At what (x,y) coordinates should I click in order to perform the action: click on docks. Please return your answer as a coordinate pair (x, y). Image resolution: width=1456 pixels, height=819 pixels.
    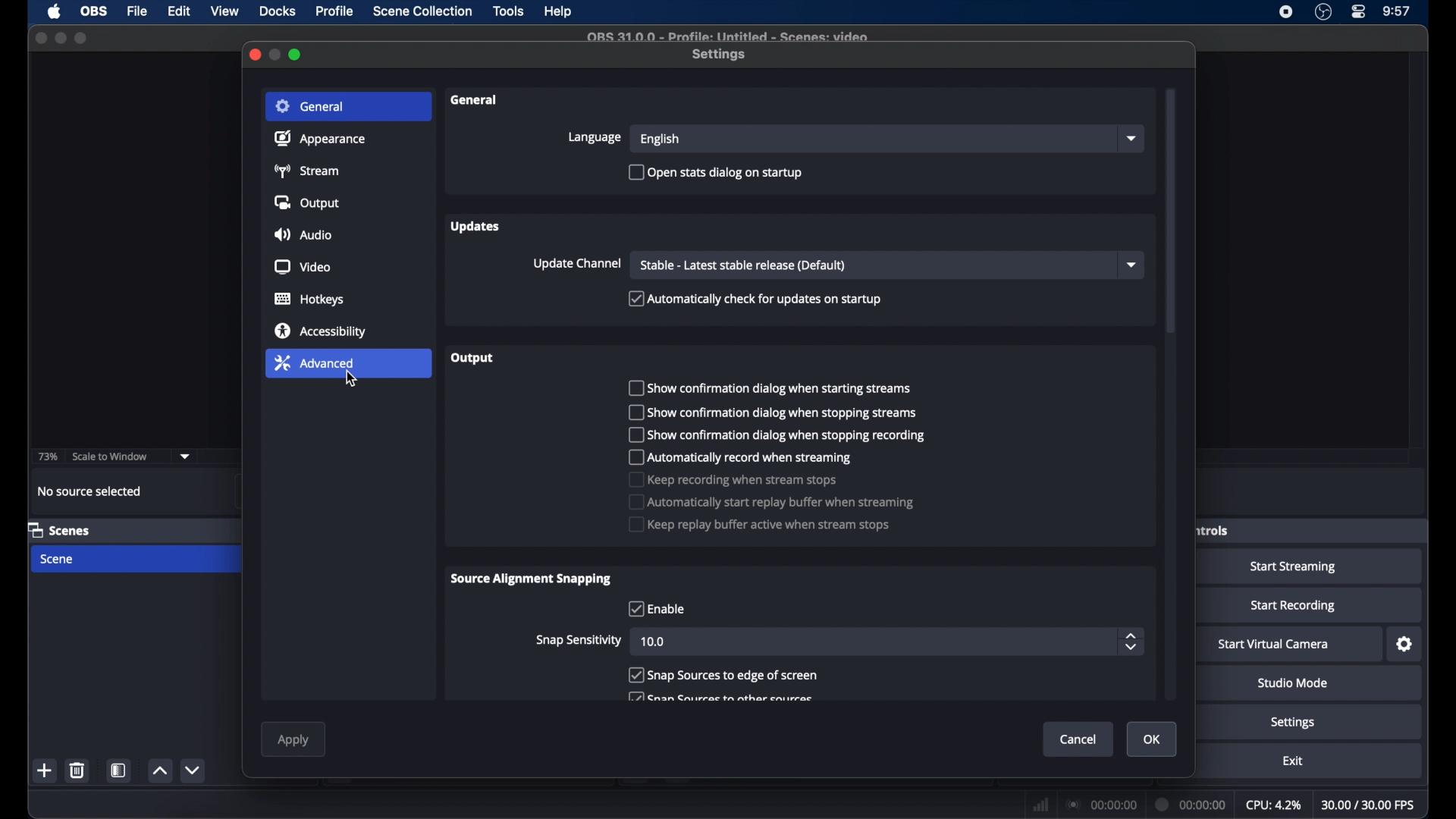
    Looking at the image, I should click on (278, 11).